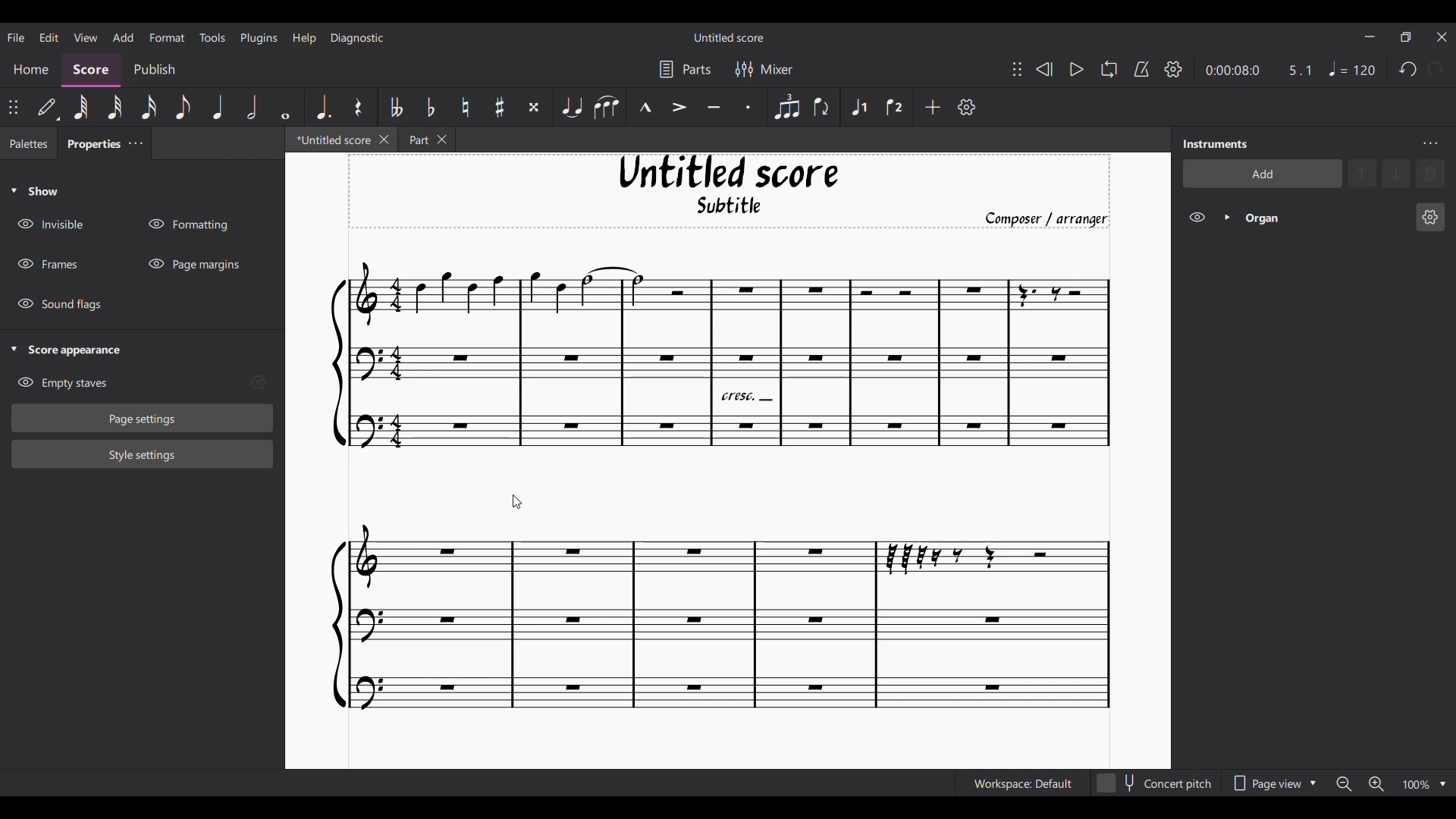 This screenshot has width=1456, height=819. Describe the element at coordinates (262, 383) in the screenshot. I see `Empty stave settings` at that location.